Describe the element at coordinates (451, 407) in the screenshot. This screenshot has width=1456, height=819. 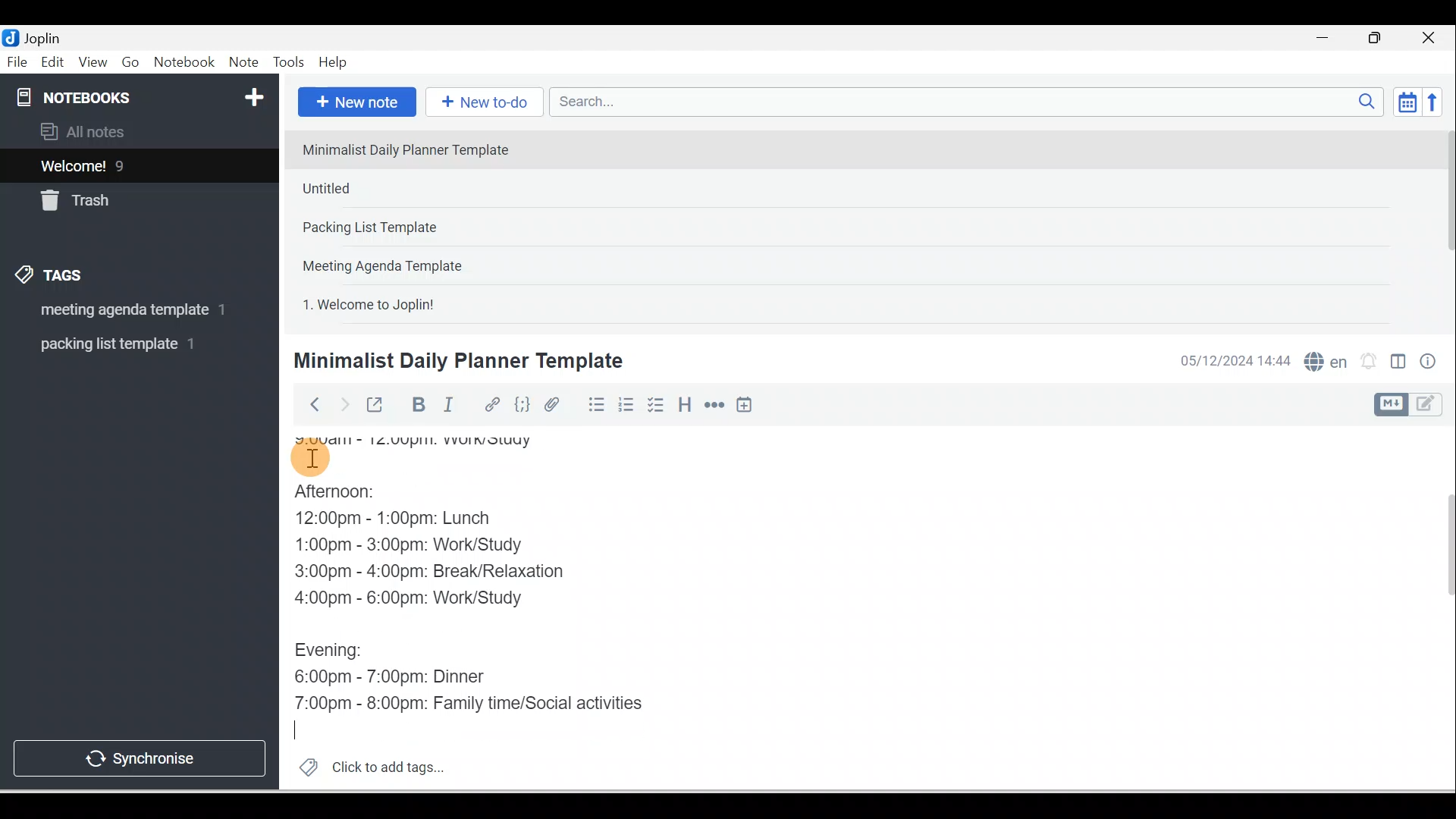
I see `Italic` at that location.